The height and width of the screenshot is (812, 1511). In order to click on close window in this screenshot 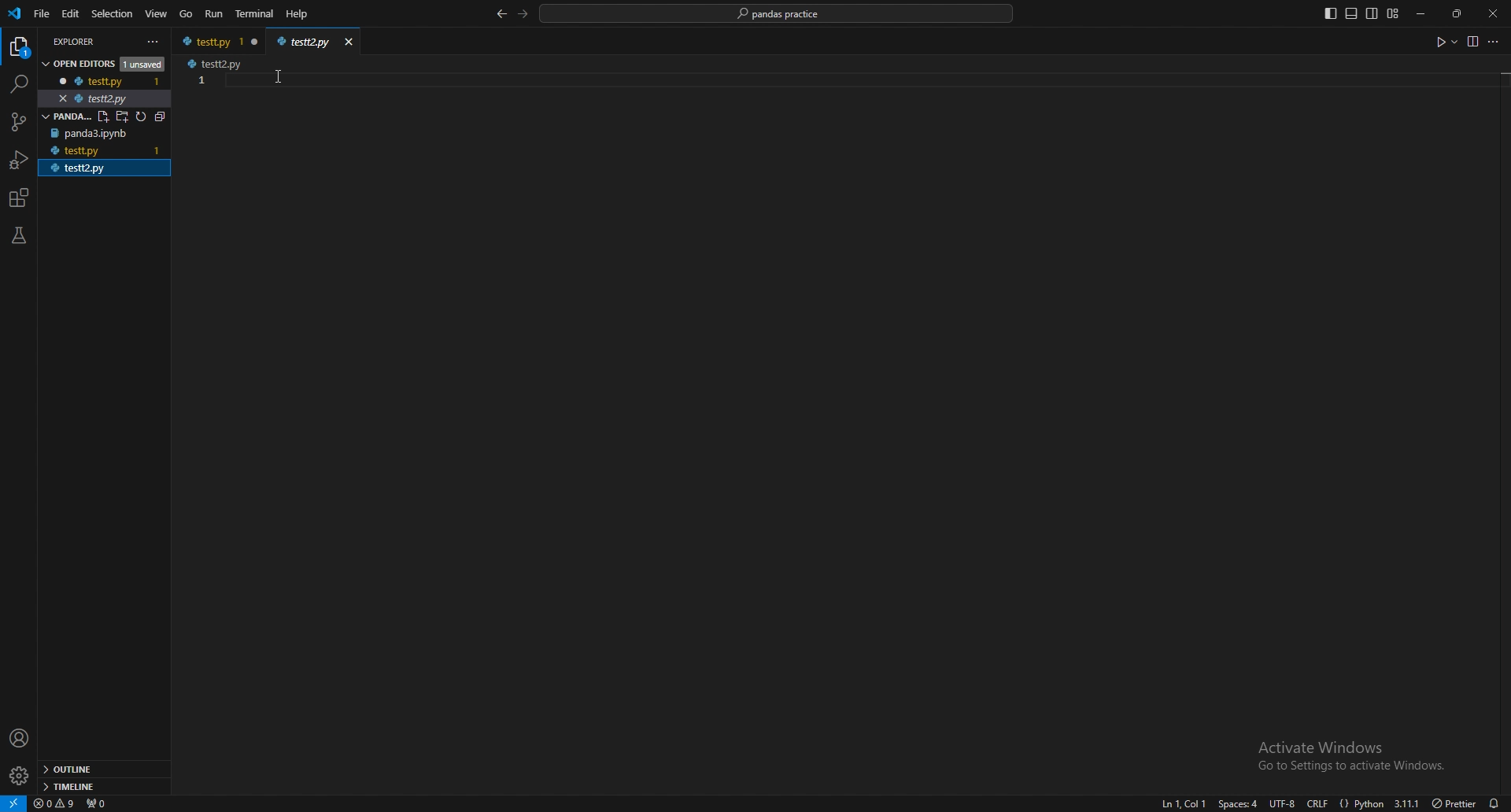, I will do `click(256, 41)`.